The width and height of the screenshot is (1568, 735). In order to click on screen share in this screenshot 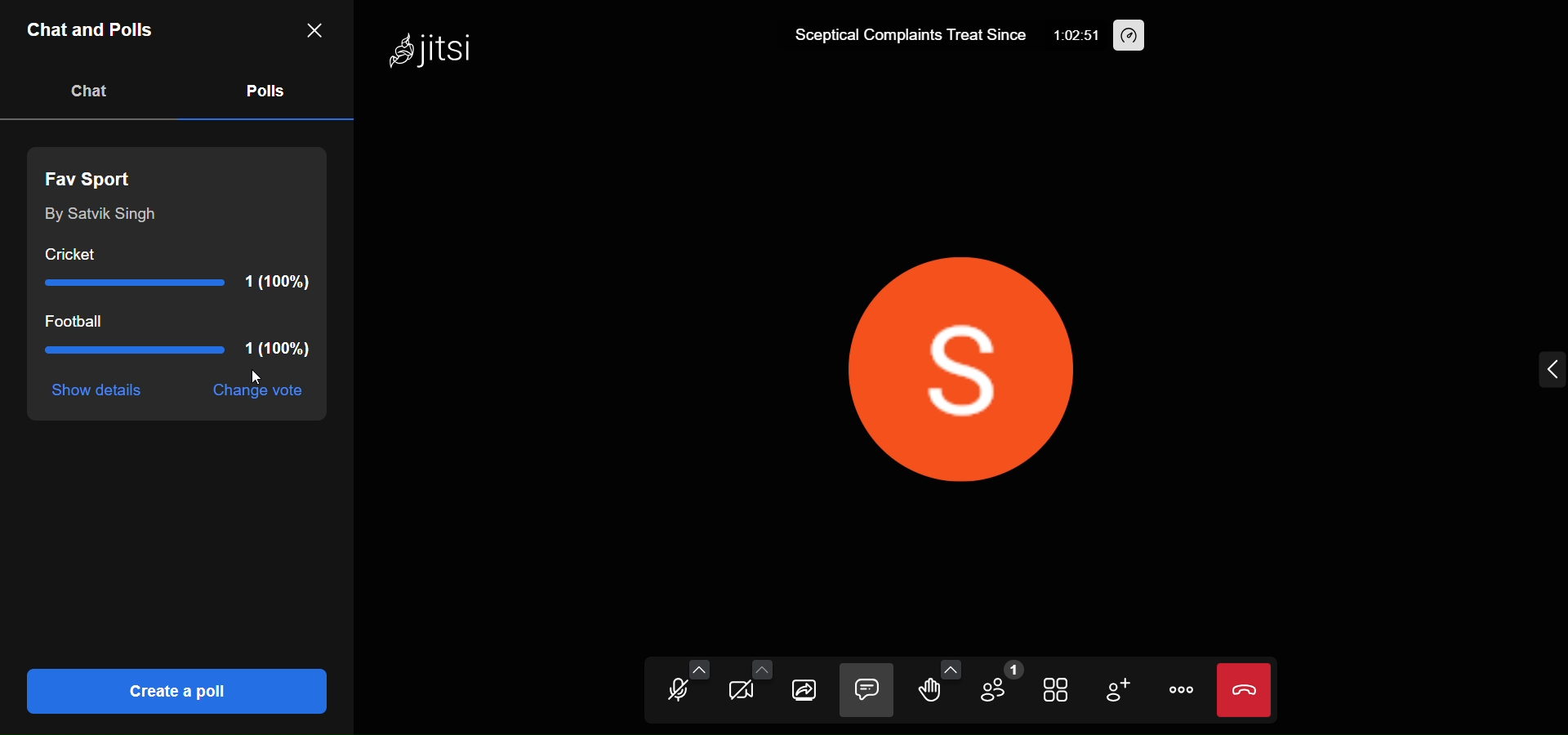, I will do `click(804, 692)`.